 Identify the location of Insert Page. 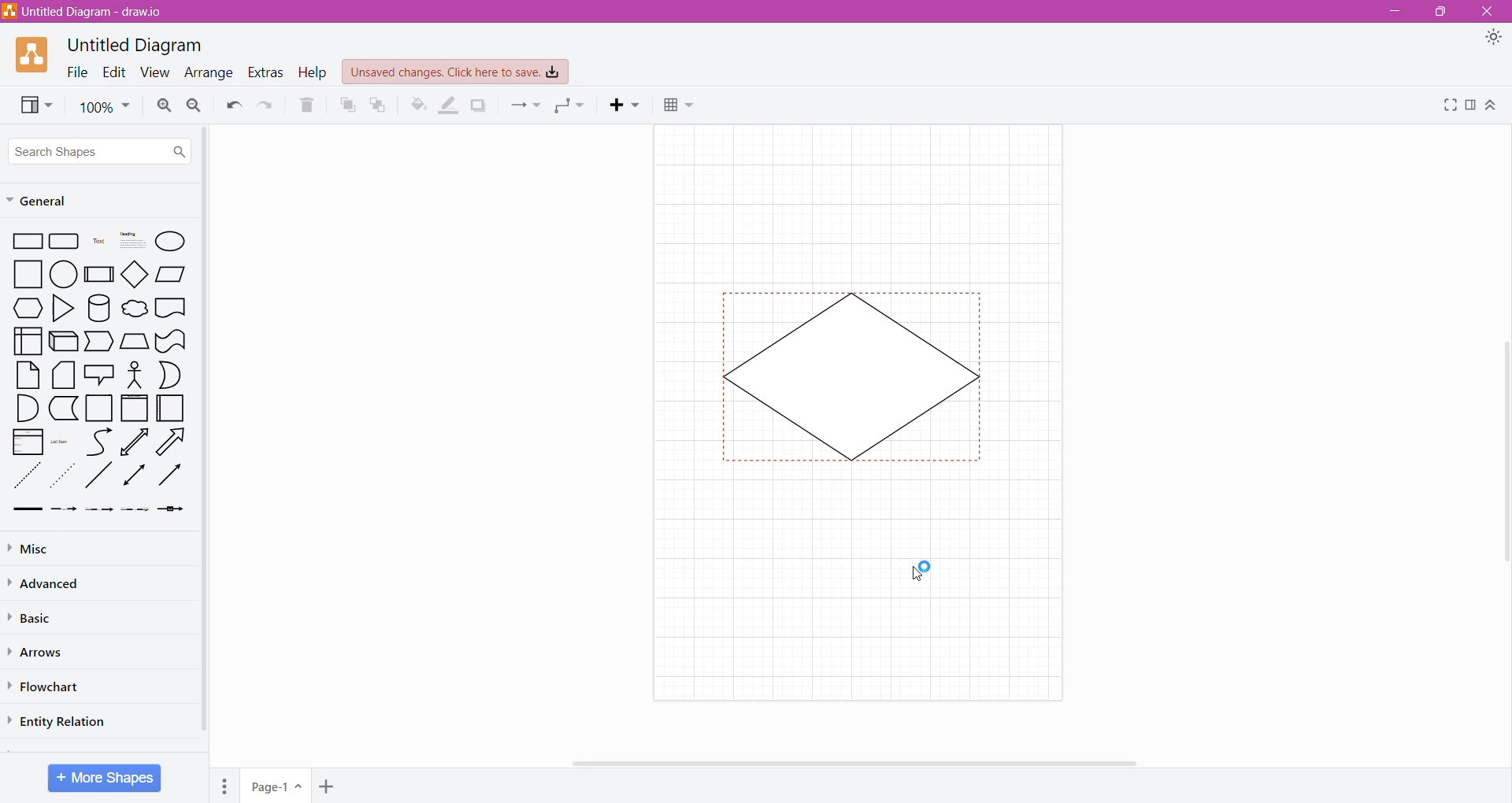
(326, 787).